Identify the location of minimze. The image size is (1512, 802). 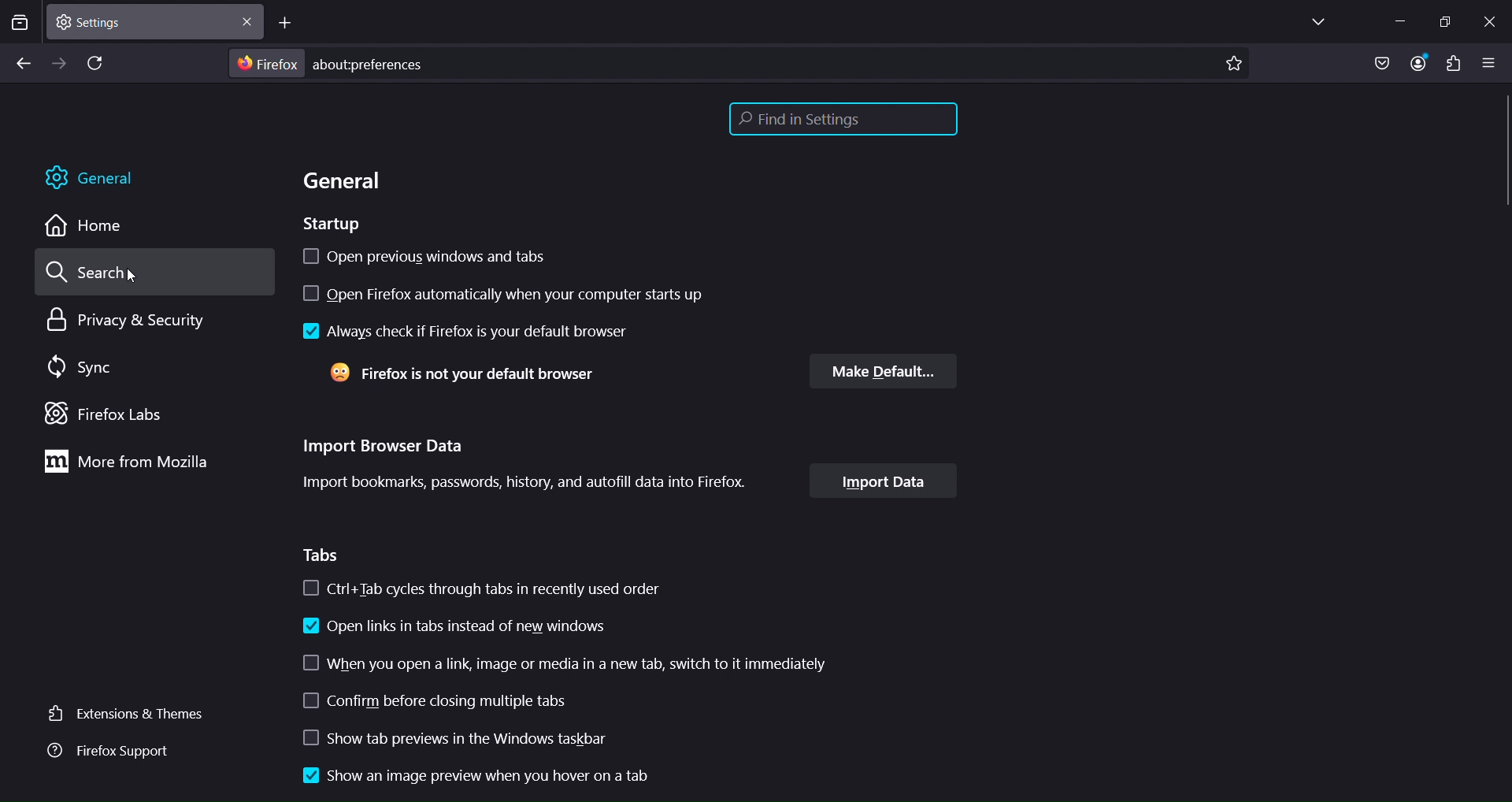
(1398, 20).